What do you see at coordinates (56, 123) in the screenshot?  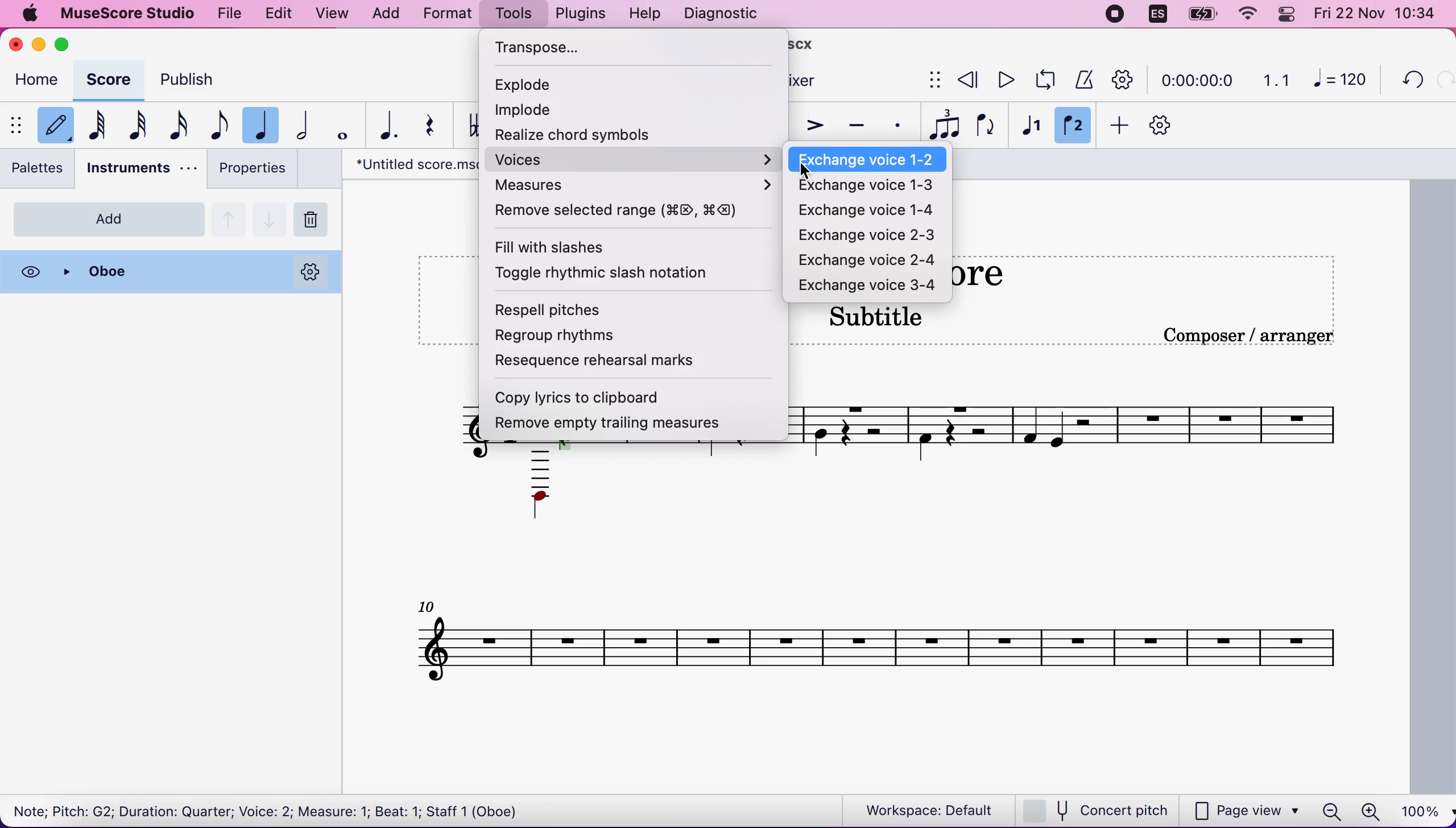 I see `default` at bounding box center [56, 123].